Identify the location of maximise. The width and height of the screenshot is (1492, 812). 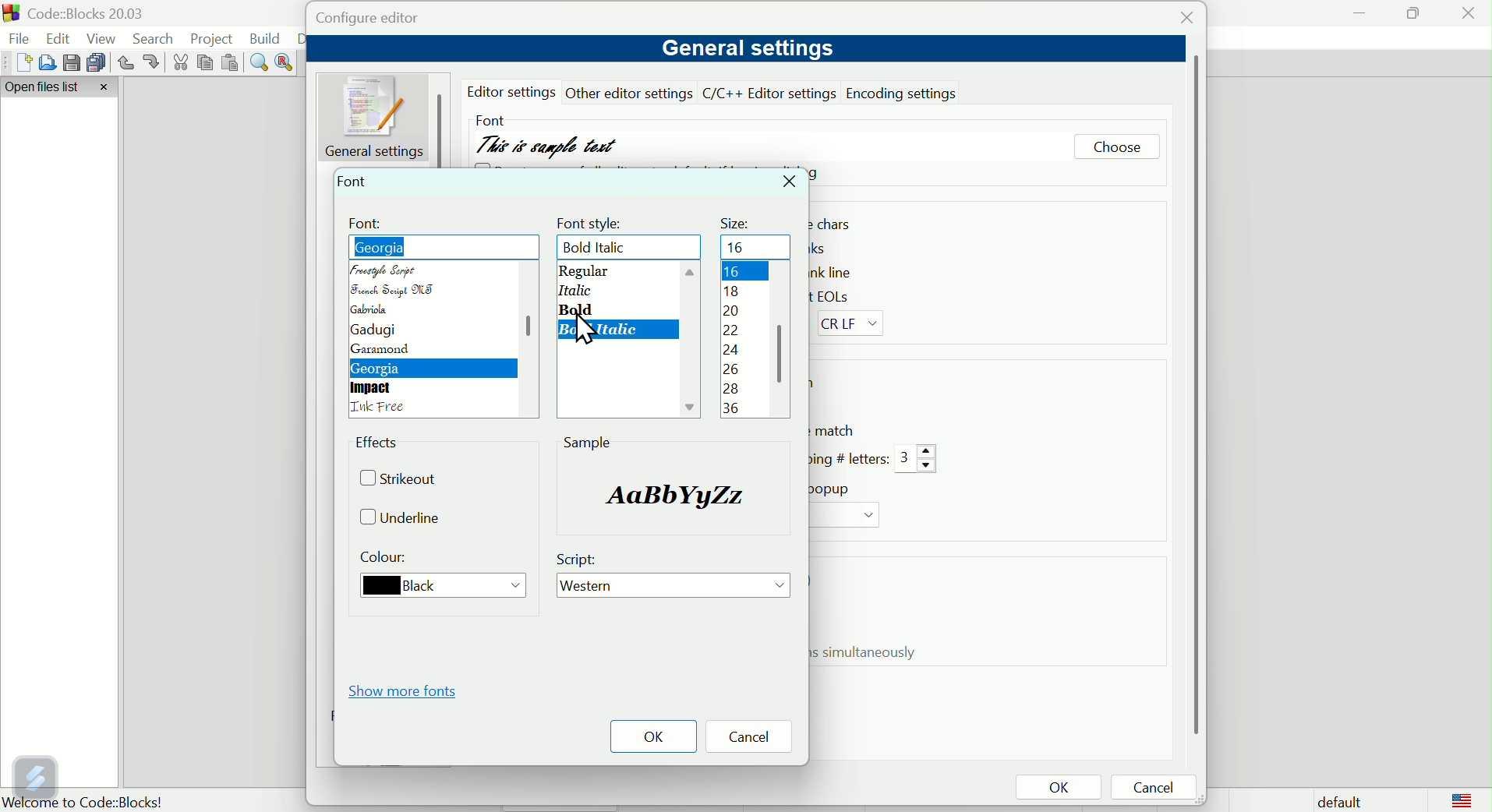
(1412, 12).